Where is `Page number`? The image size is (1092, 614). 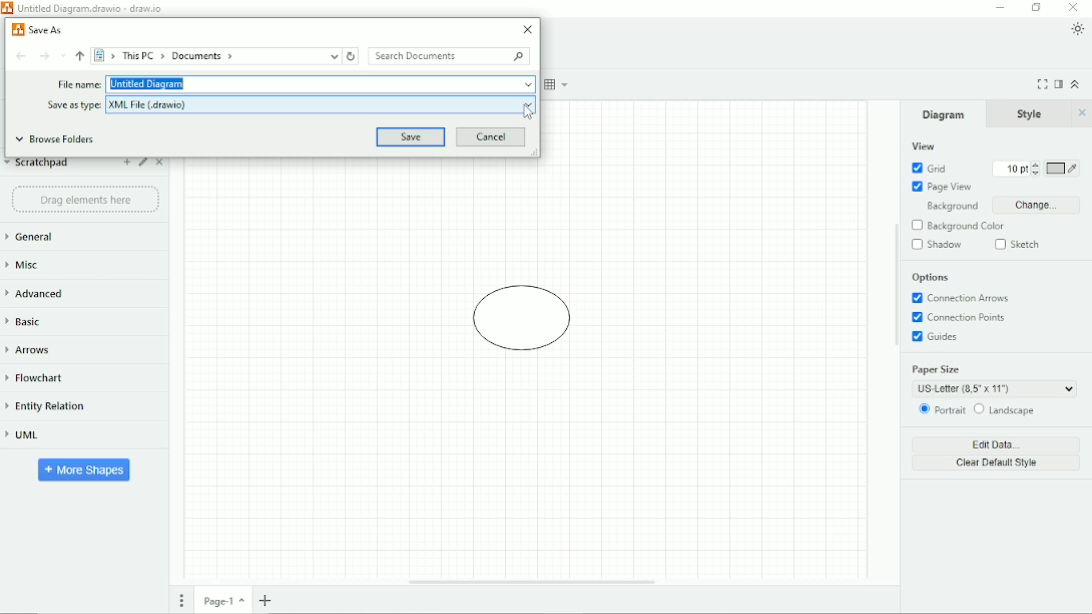 Page number is located at coordinates (224, 603).